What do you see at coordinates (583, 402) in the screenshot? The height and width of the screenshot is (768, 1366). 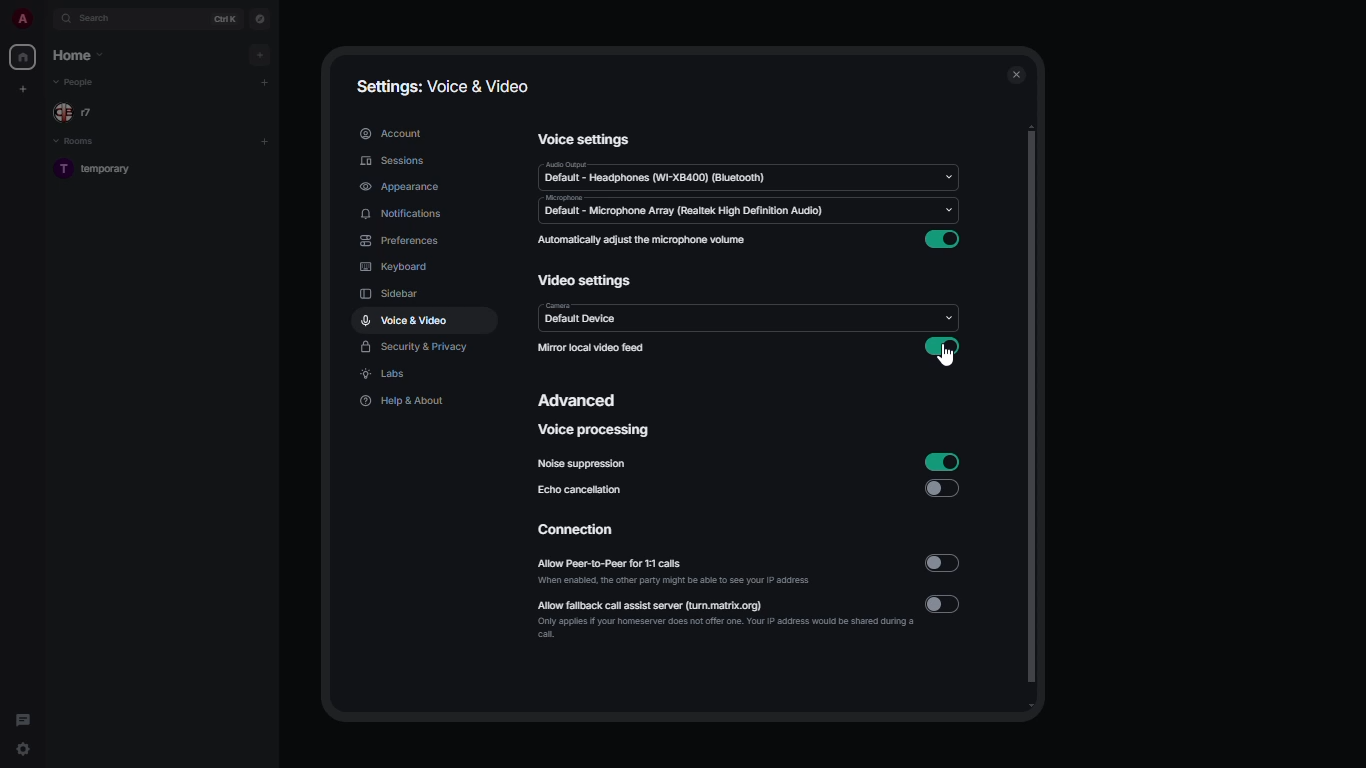 I see `advanced` at bounding box center [583, 402].